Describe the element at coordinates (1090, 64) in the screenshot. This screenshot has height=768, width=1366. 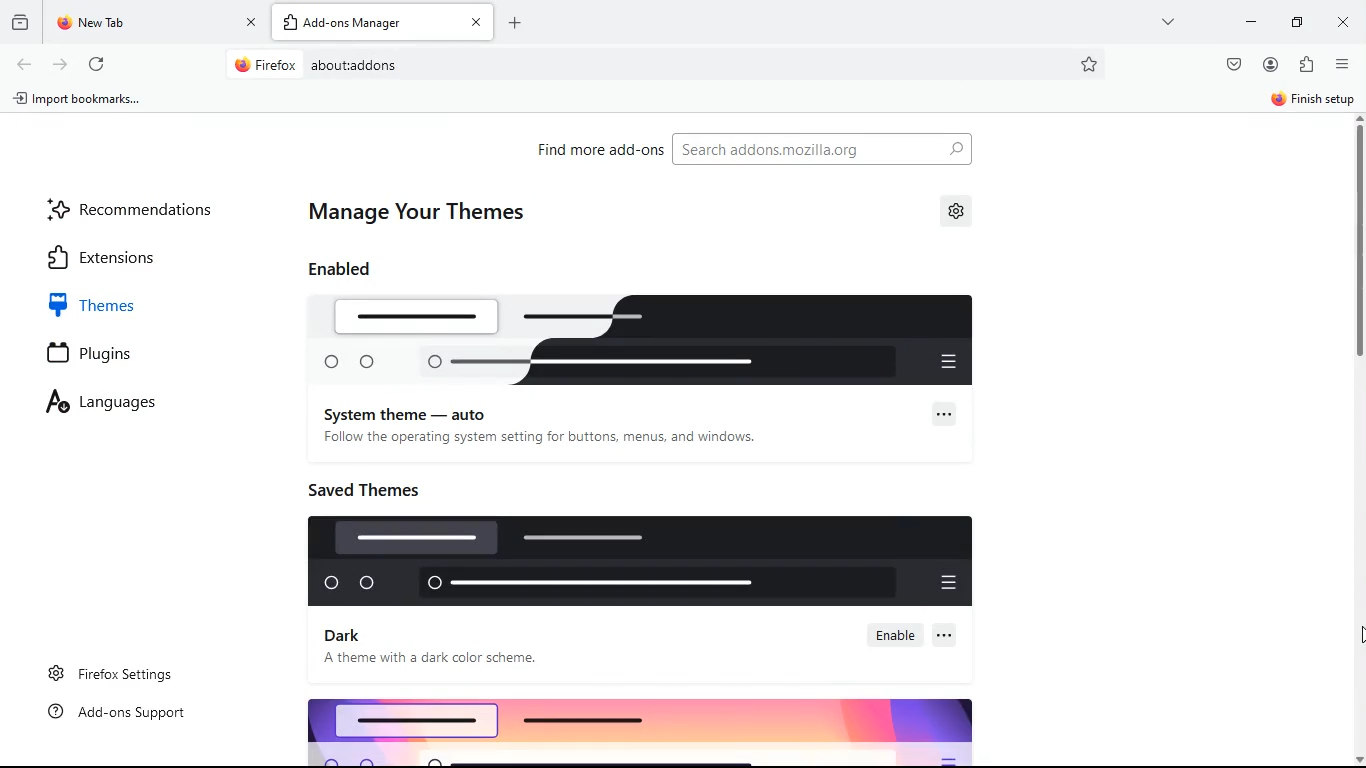
I see `favorites` at that location.